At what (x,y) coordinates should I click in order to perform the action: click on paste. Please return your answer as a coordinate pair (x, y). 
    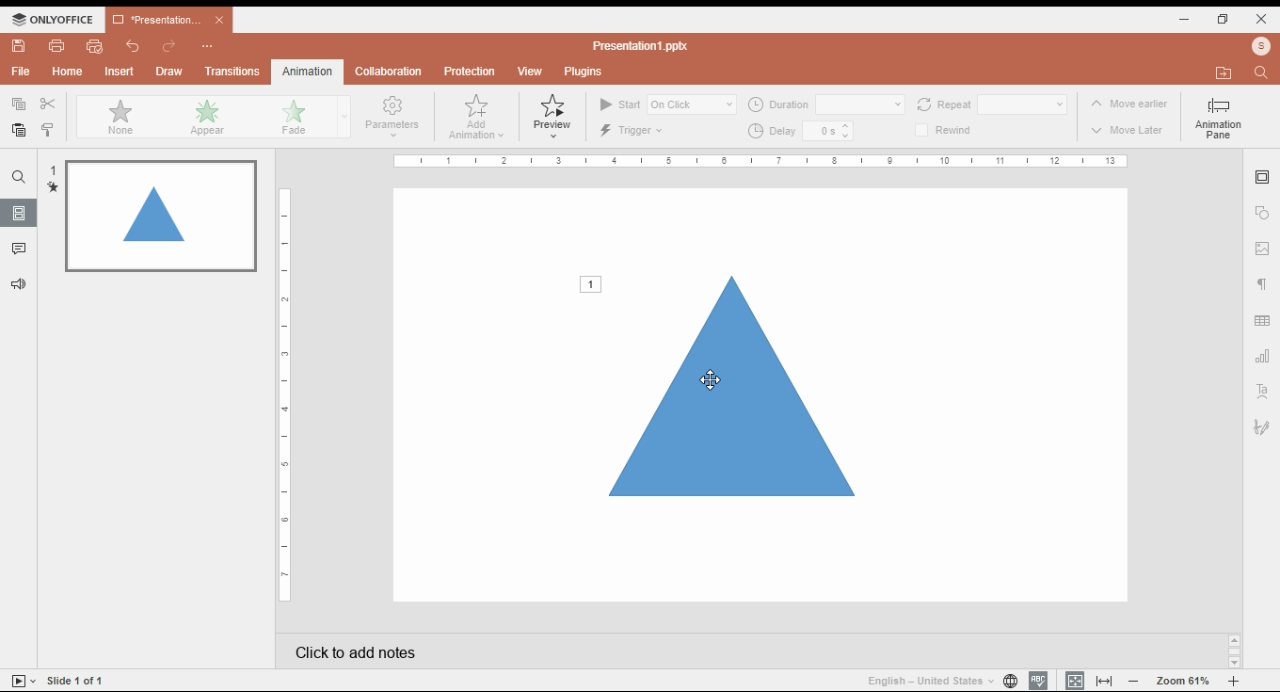
    Looking at the image, I should click on (19, 129).